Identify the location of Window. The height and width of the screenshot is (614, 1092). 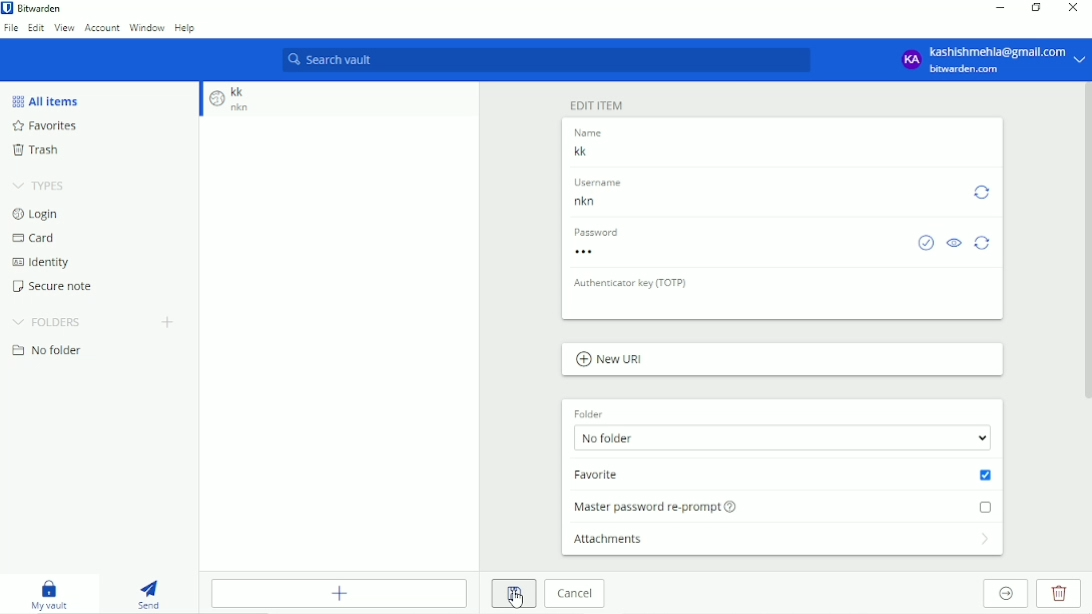
(147, 28).